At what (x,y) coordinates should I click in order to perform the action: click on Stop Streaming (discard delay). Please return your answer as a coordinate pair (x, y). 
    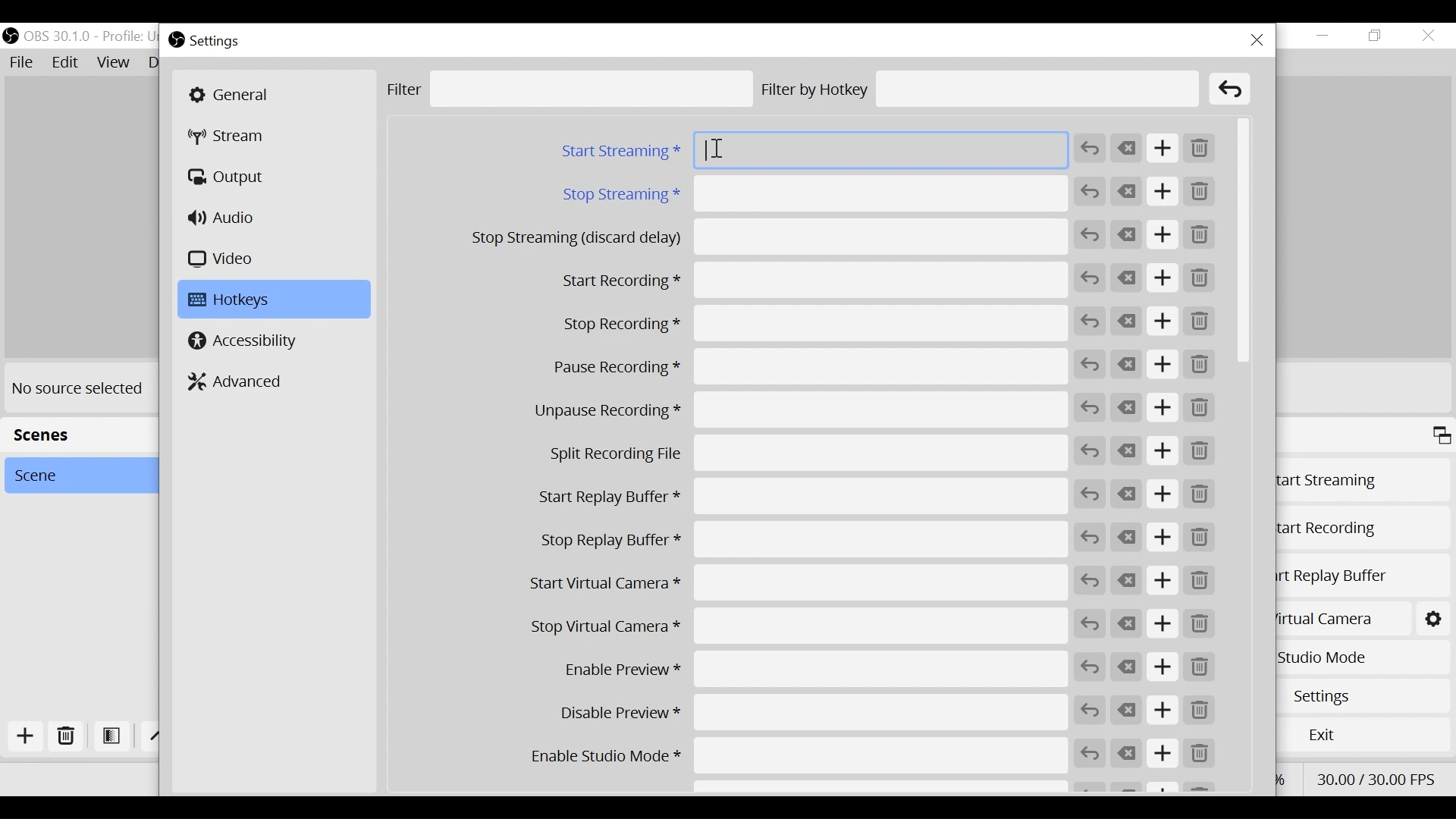
    Looking at the image, I should click on (770, 237).